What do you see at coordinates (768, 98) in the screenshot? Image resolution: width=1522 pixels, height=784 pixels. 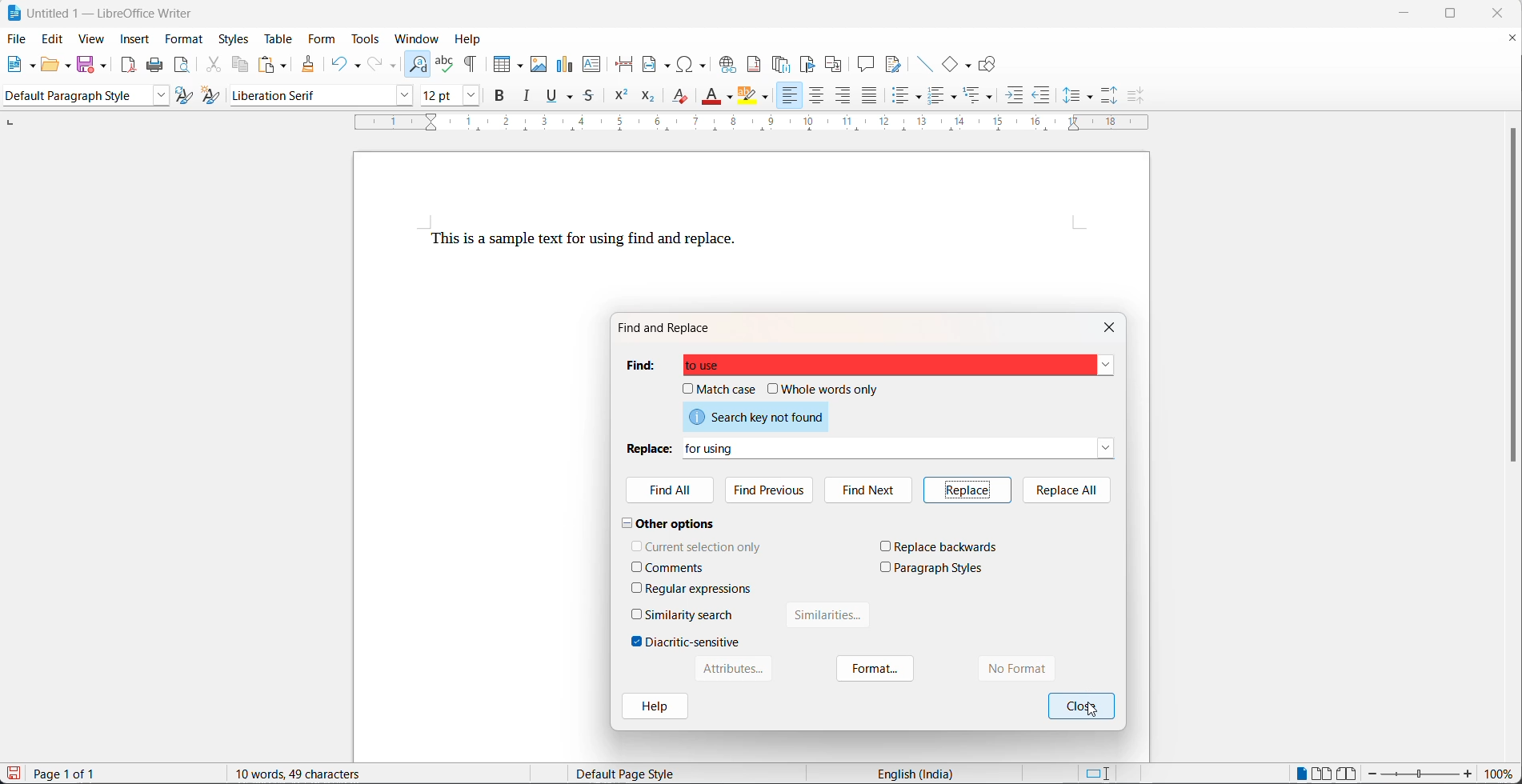 I see `character highlighting options` at bounding box center [768, 98].